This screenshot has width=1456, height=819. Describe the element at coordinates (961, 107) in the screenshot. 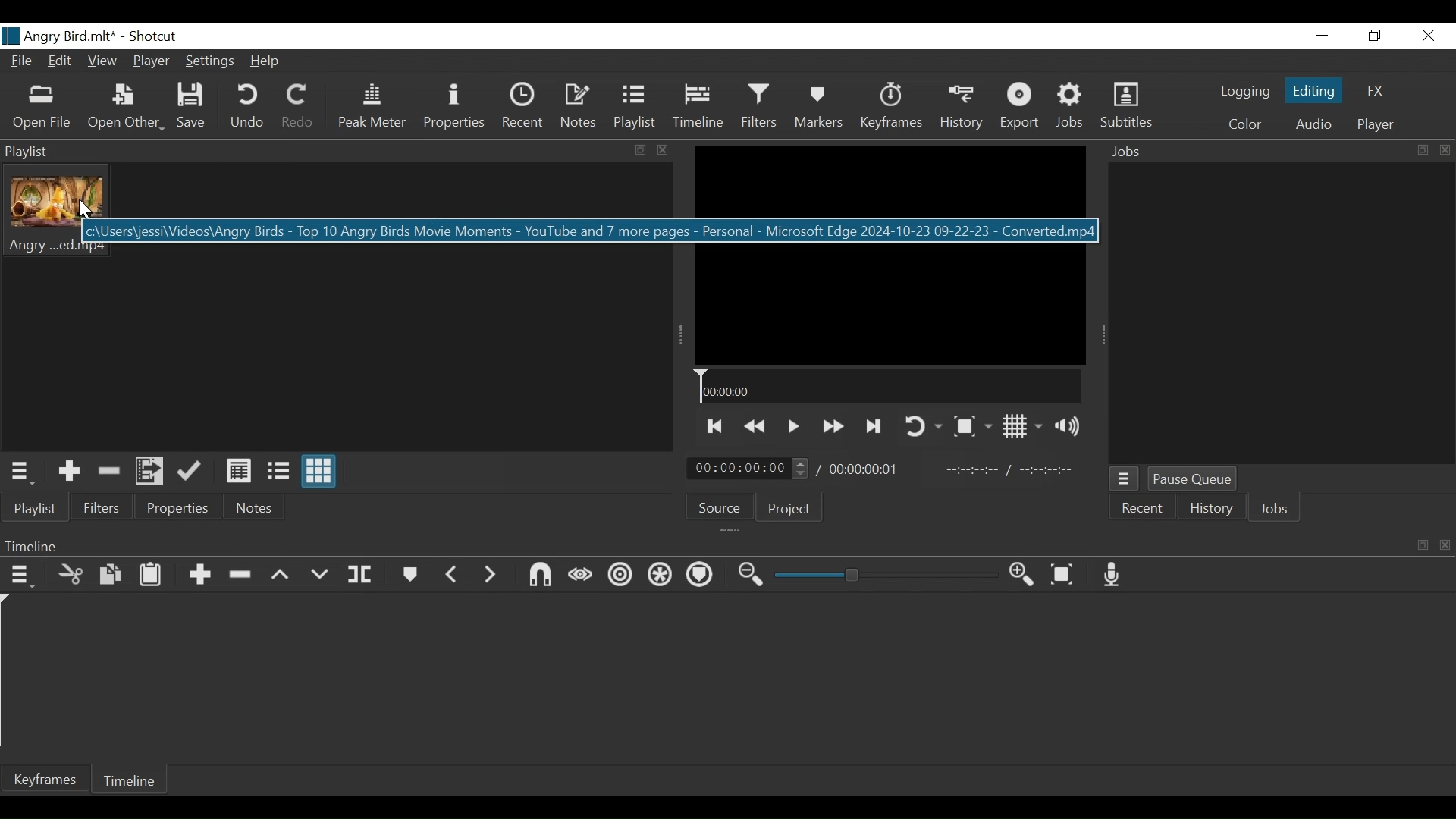

I see `History` at that location.